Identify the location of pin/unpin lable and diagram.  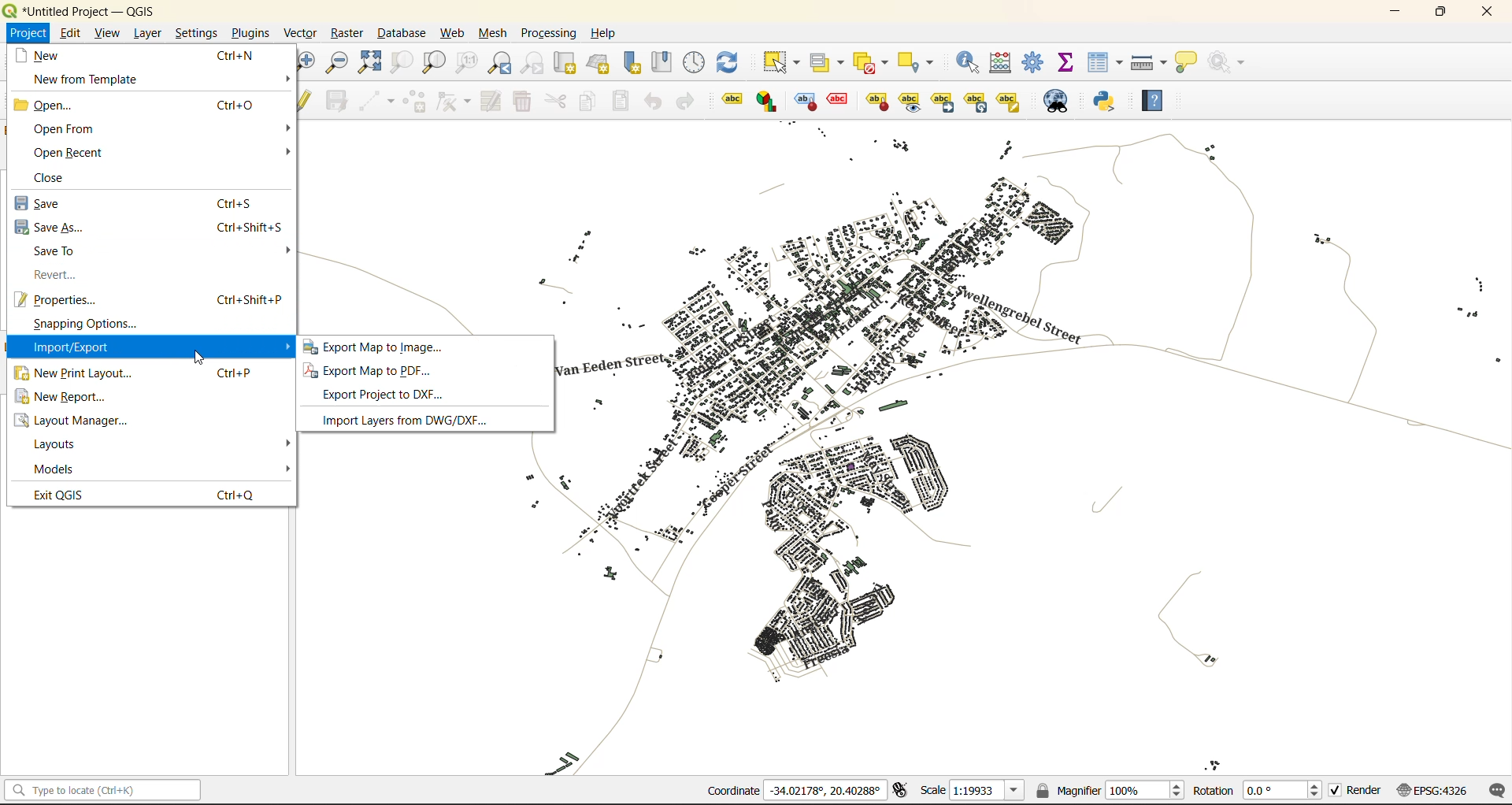
(840, 101).